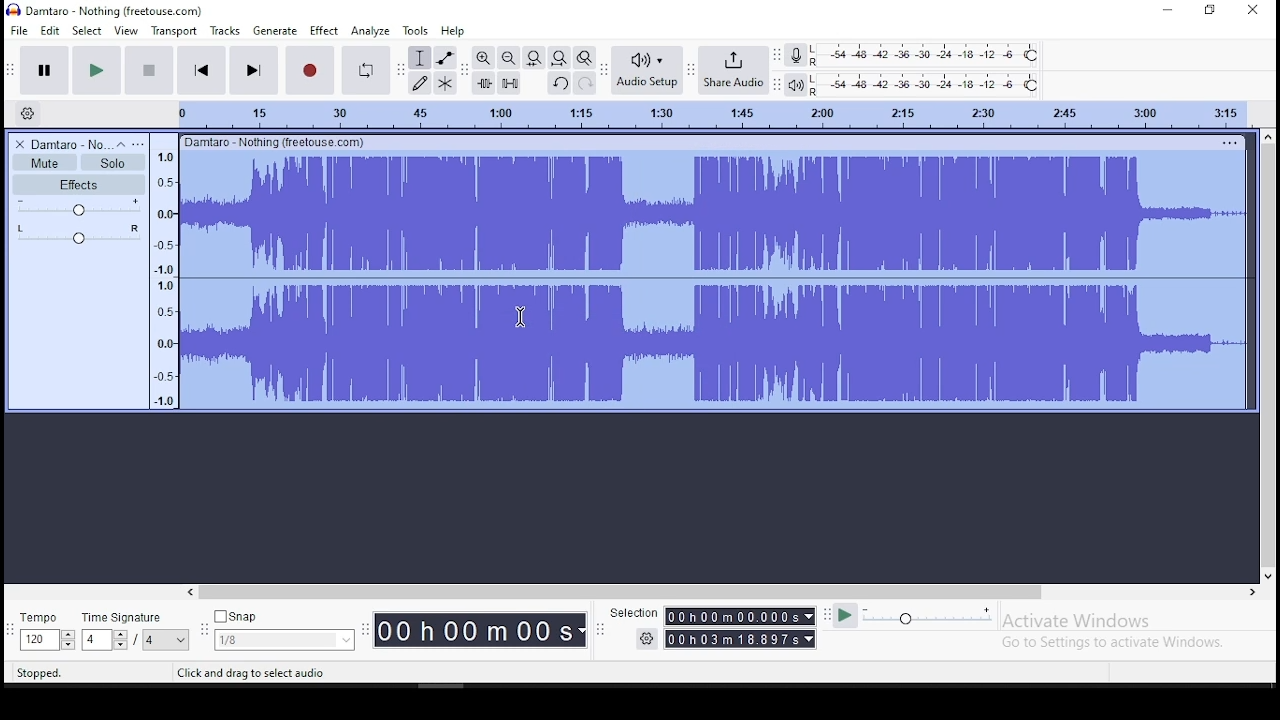 This screenshot has width=1280, height=720. Describe the element at coordinates (70, 145) in the screenshot. I see `audio track name` at that location.